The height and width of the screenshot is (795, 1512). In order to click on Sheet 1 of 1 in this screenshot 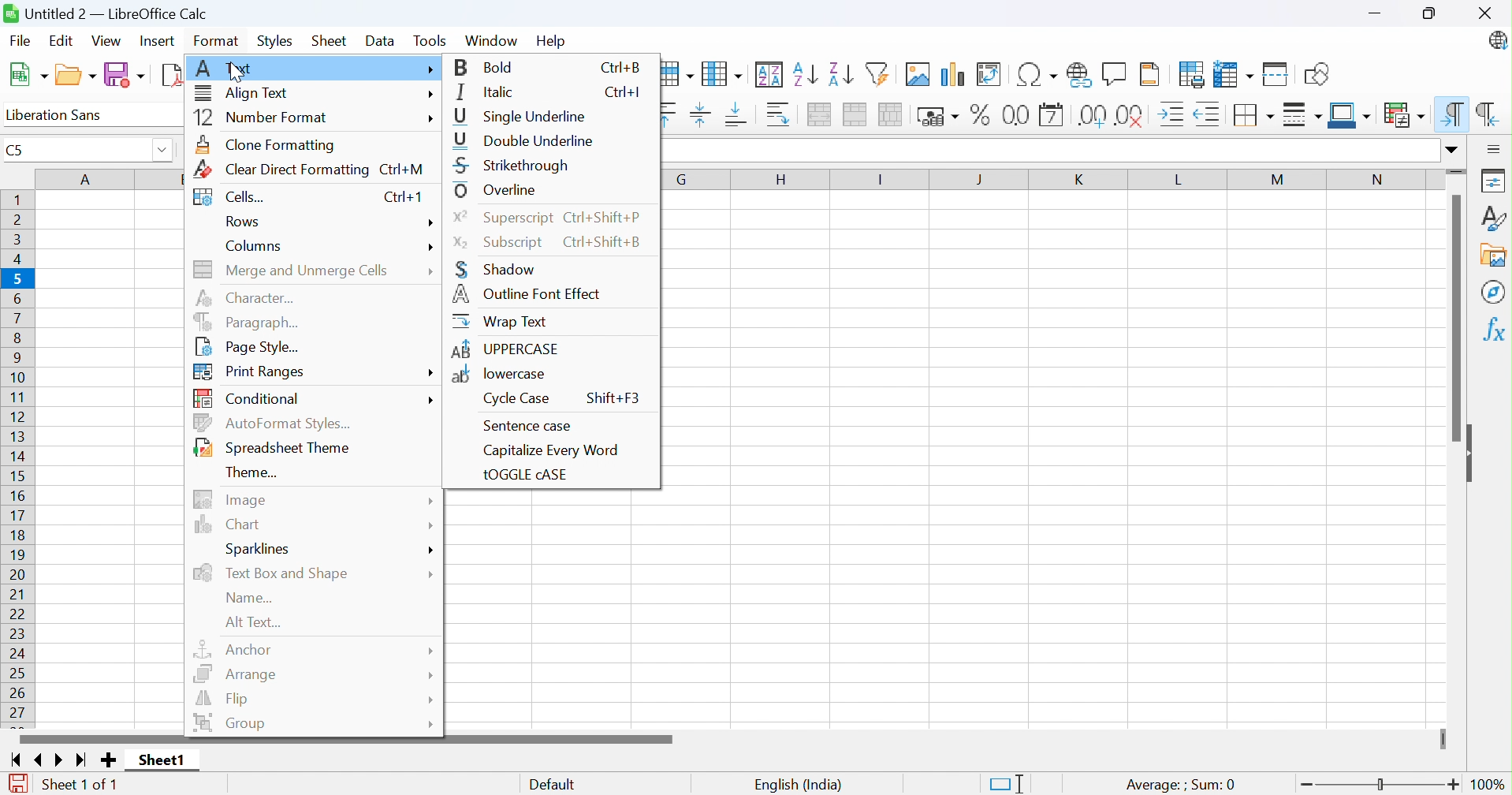, I will do `click(84, 786)`.